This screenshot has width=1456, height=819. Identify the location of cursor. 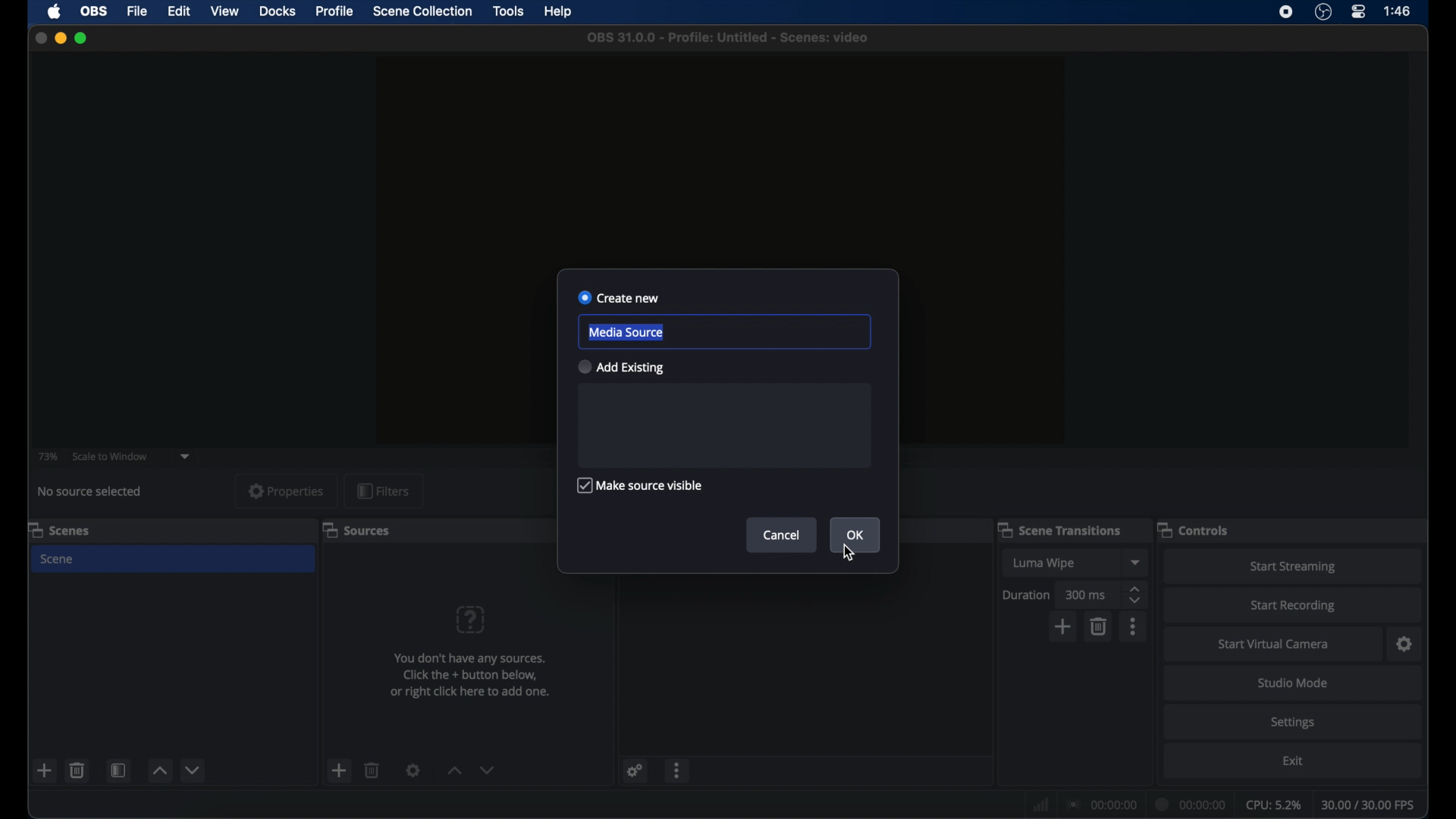
(851, 553).